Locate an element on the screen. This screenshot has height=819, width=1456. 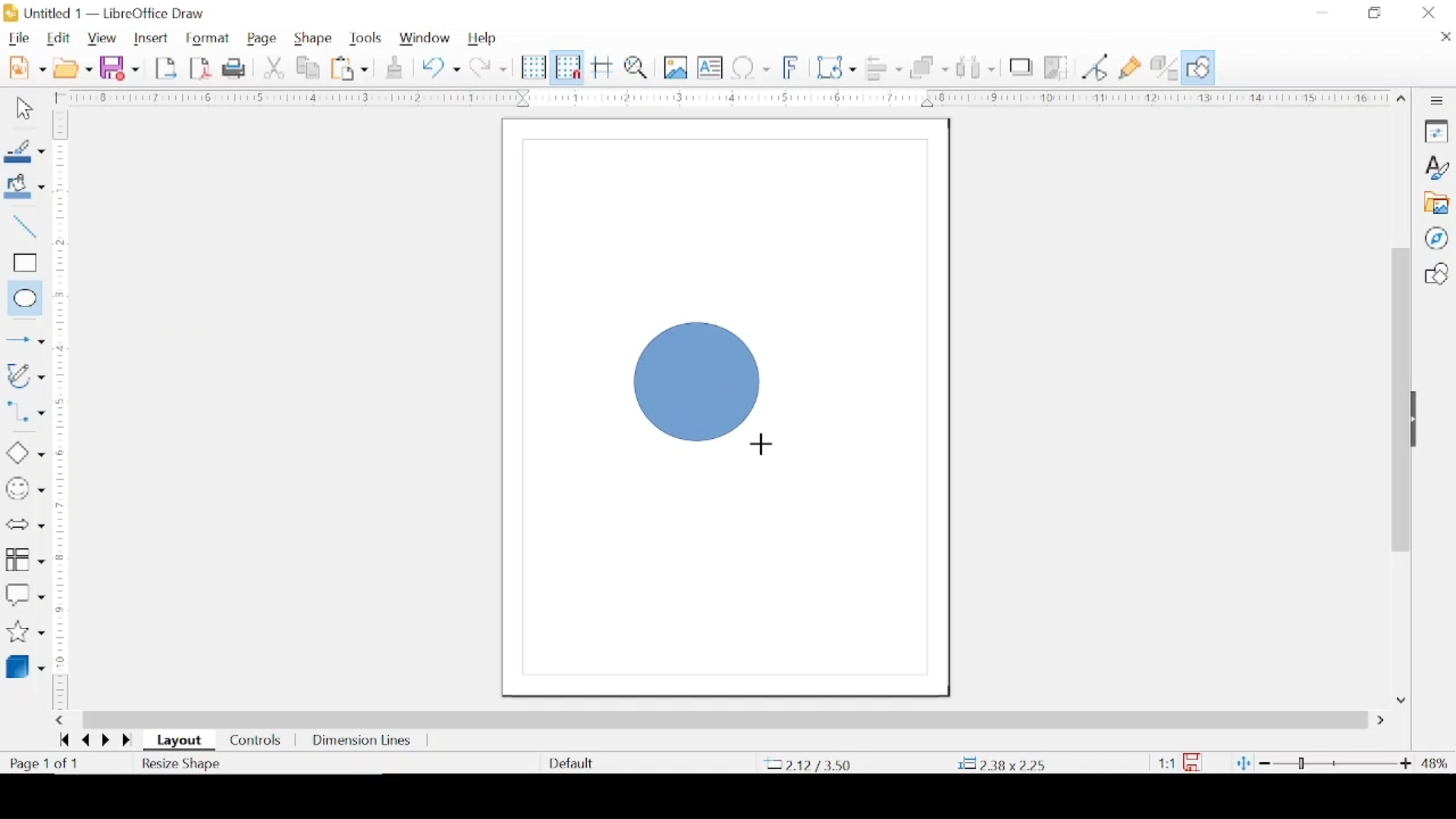
close is located at coordinates (1445, 38).